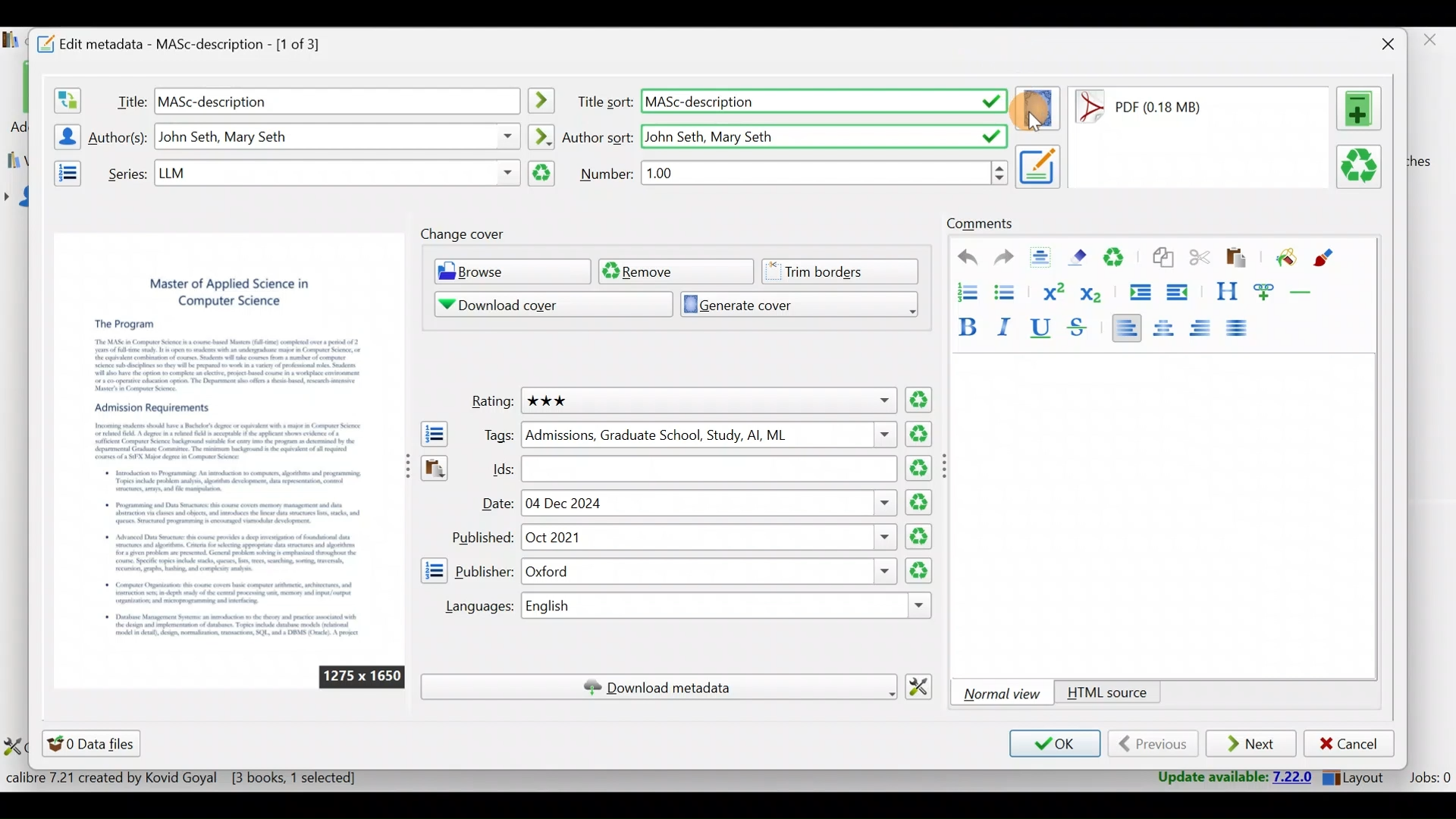  I want to click on Superscript, so click(1052, 290).